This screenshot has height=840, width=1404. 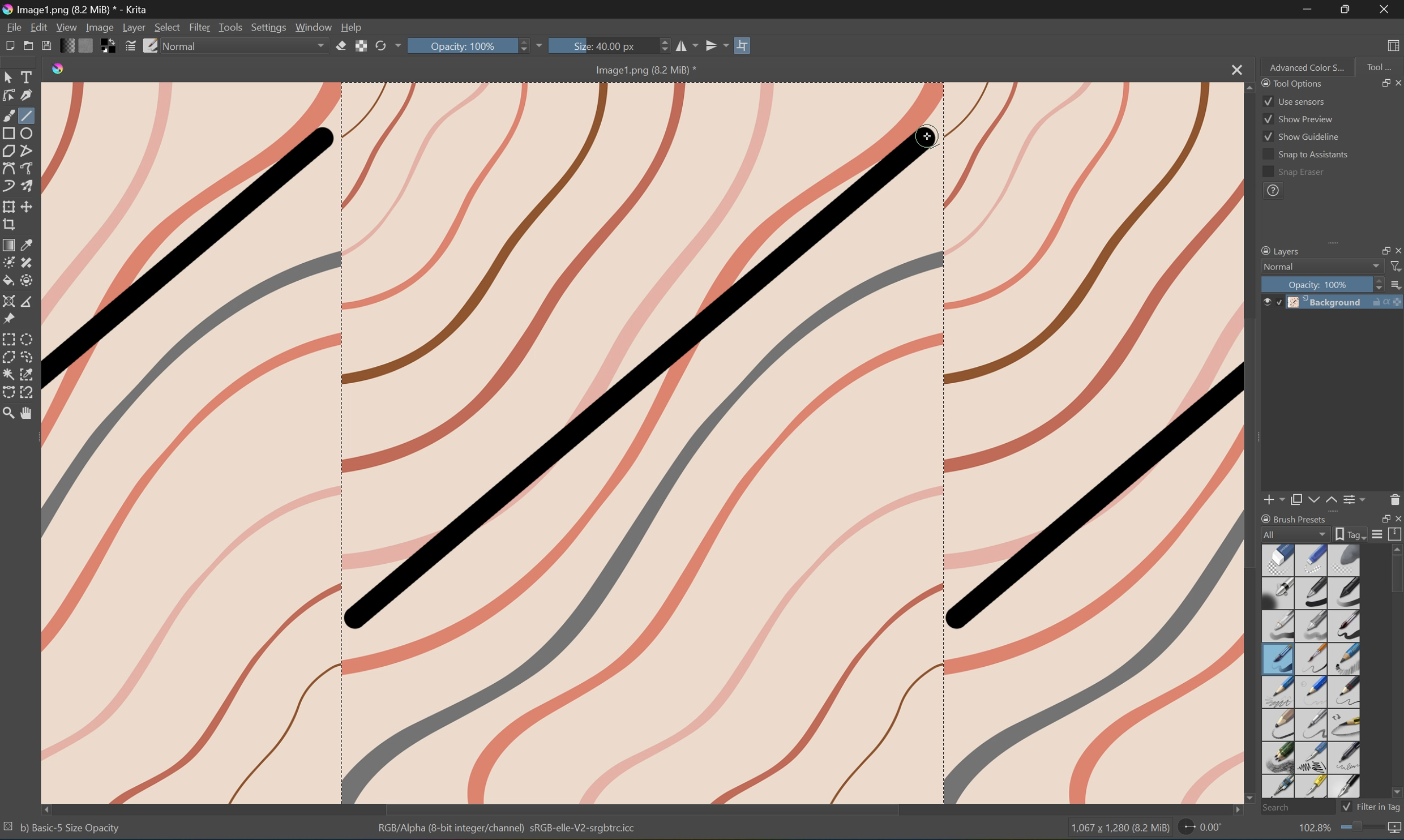 I want to click on Dynamic brush tool, so click(x=9, y=186).